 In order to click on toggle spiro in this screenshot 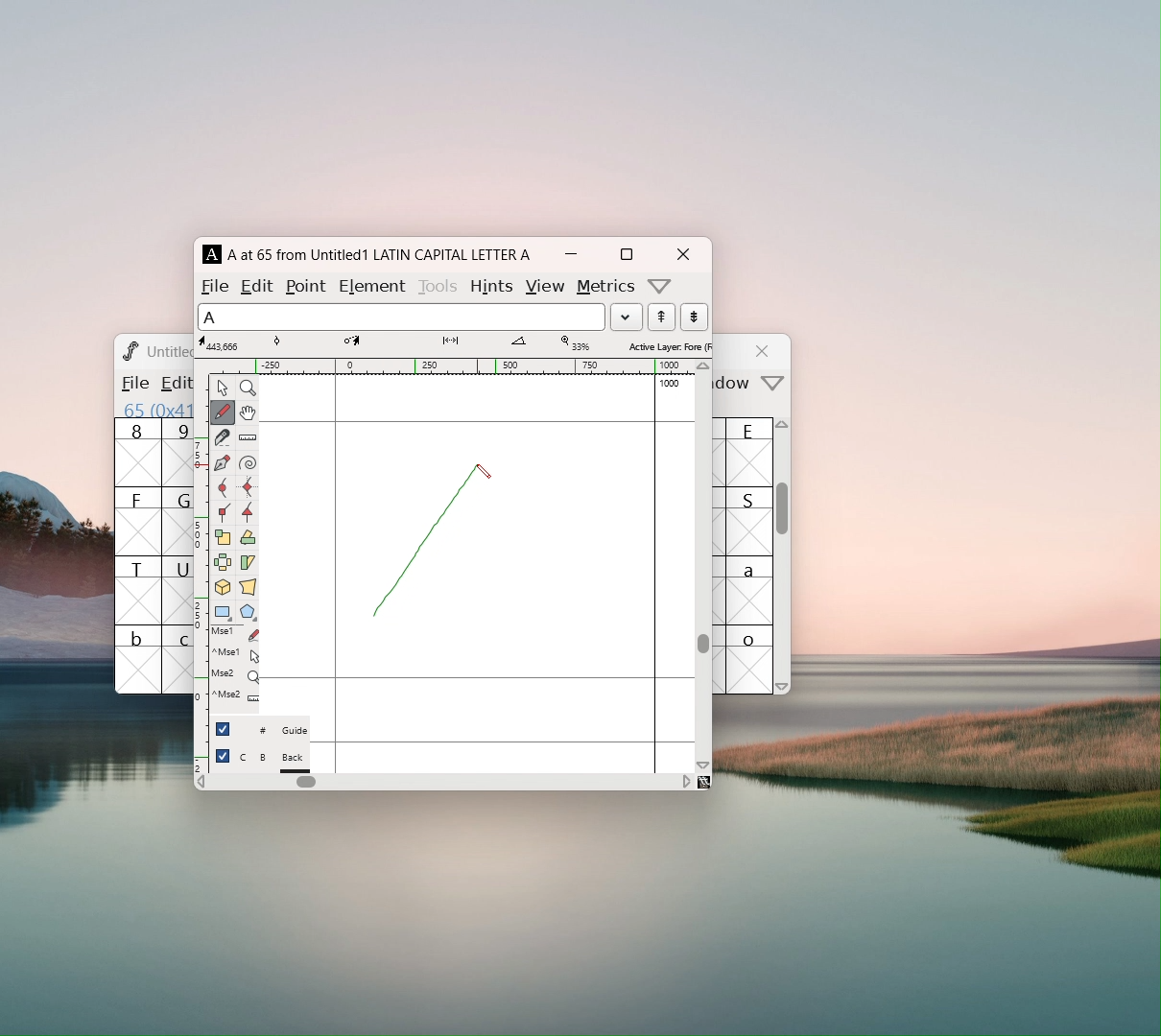, I will do `click(248, 463)`.